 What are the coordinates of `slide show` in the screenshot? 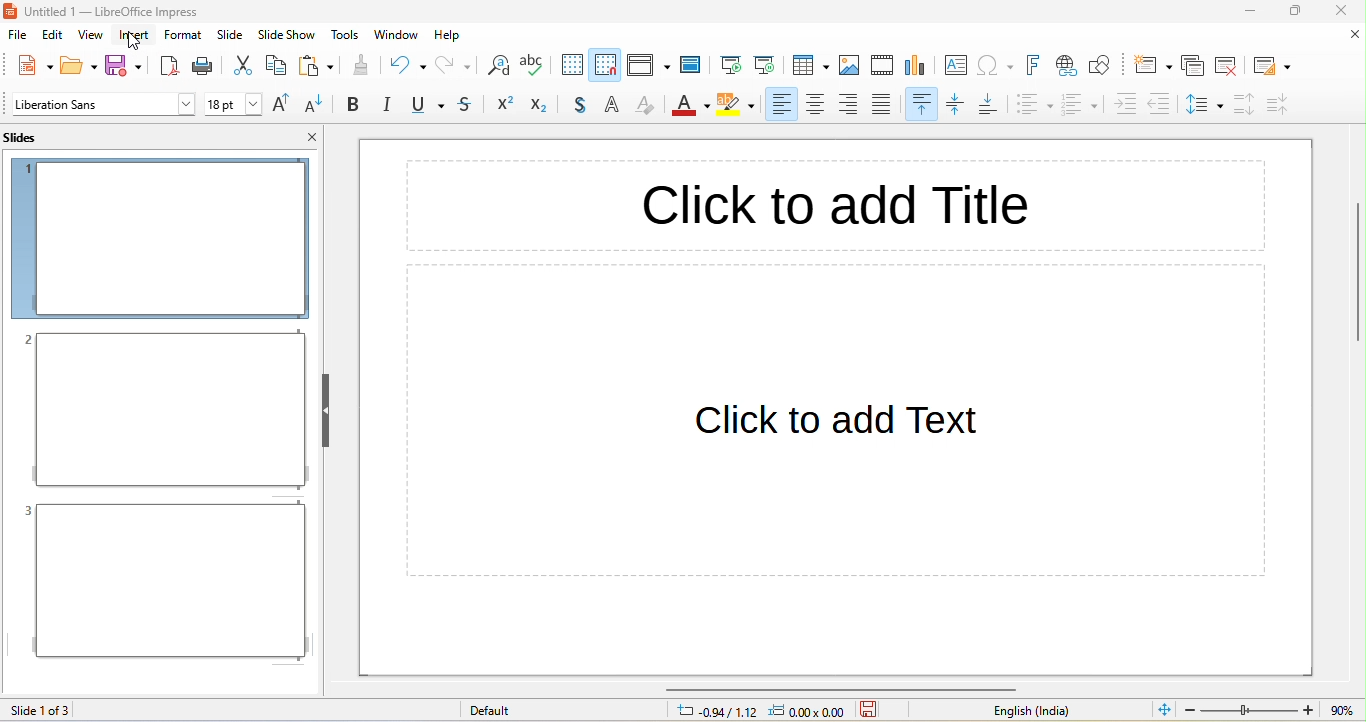 It's located at (287, 35).